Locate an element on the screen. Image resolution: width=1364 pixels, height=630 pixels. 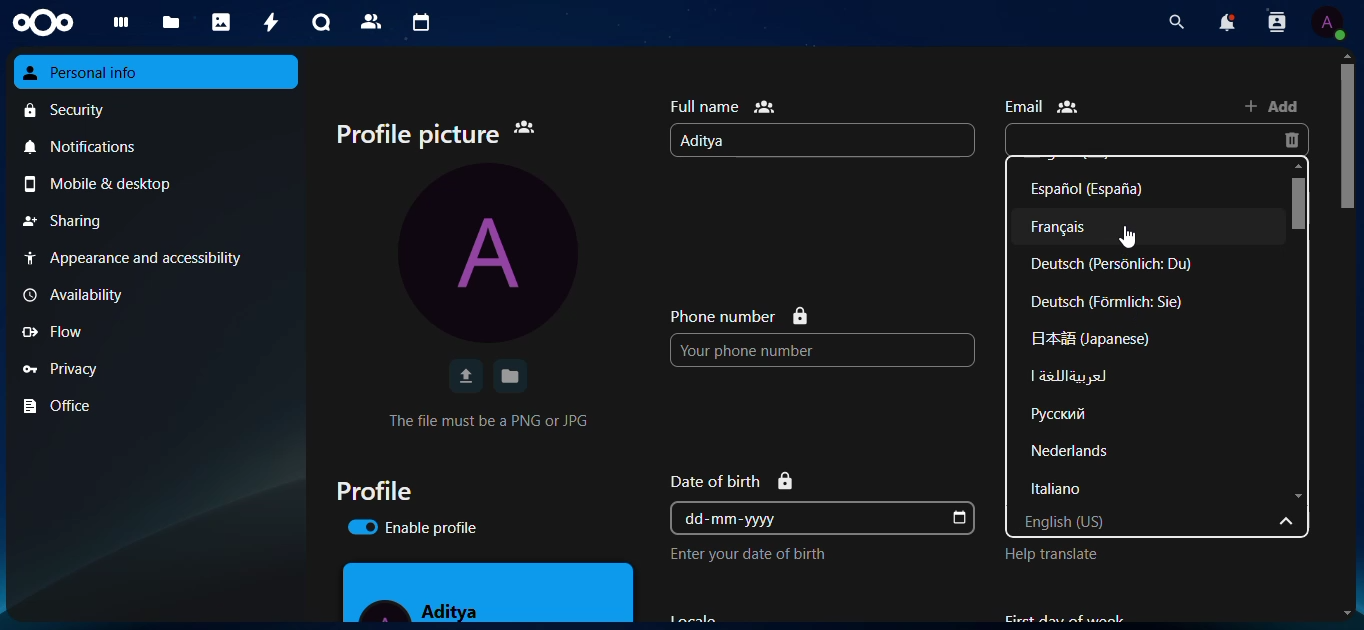
next cloud is located at coordinates (50, 22).